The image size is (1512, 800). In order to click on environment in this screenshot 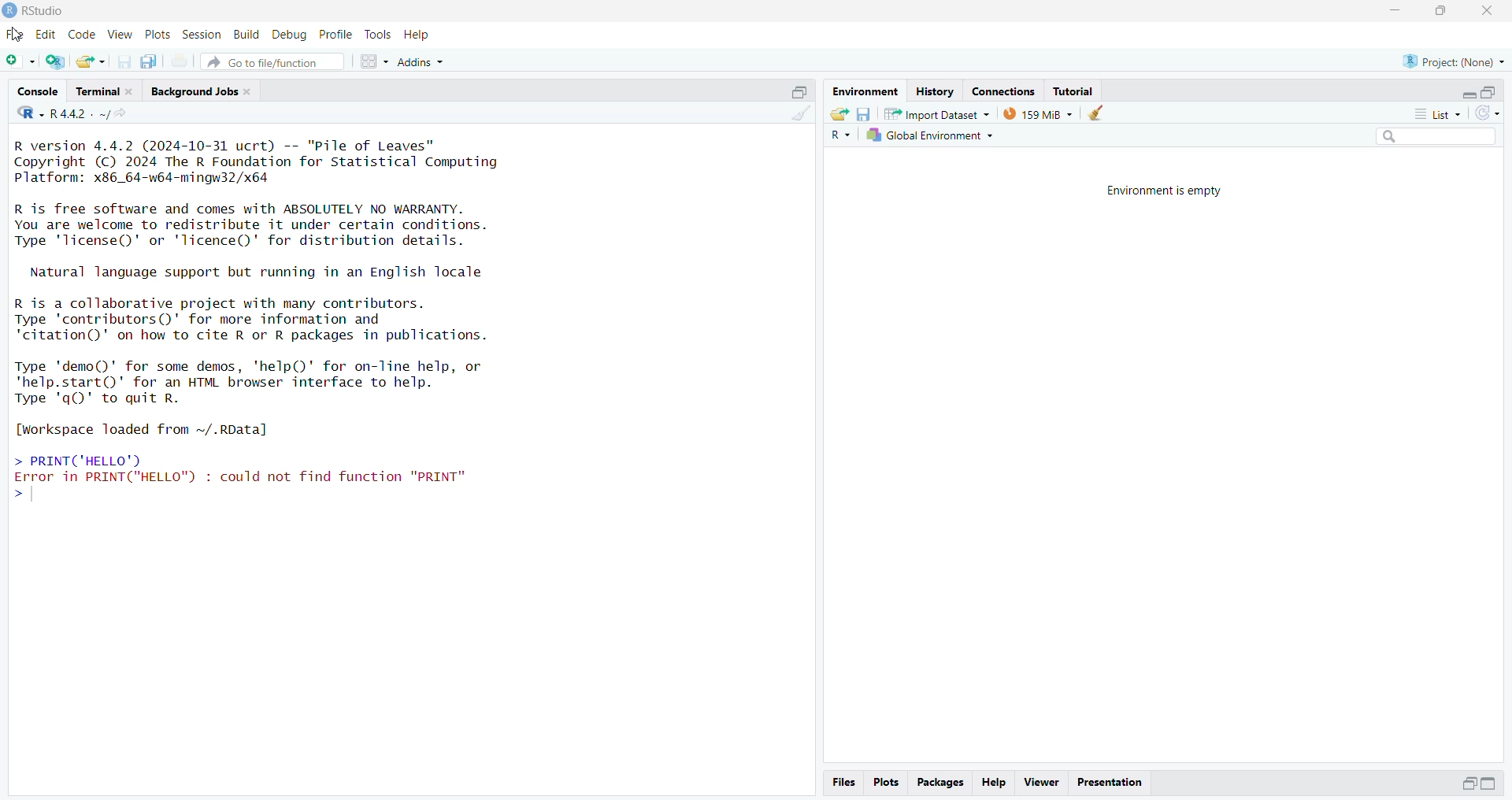, I will do `click(864, 91)`.